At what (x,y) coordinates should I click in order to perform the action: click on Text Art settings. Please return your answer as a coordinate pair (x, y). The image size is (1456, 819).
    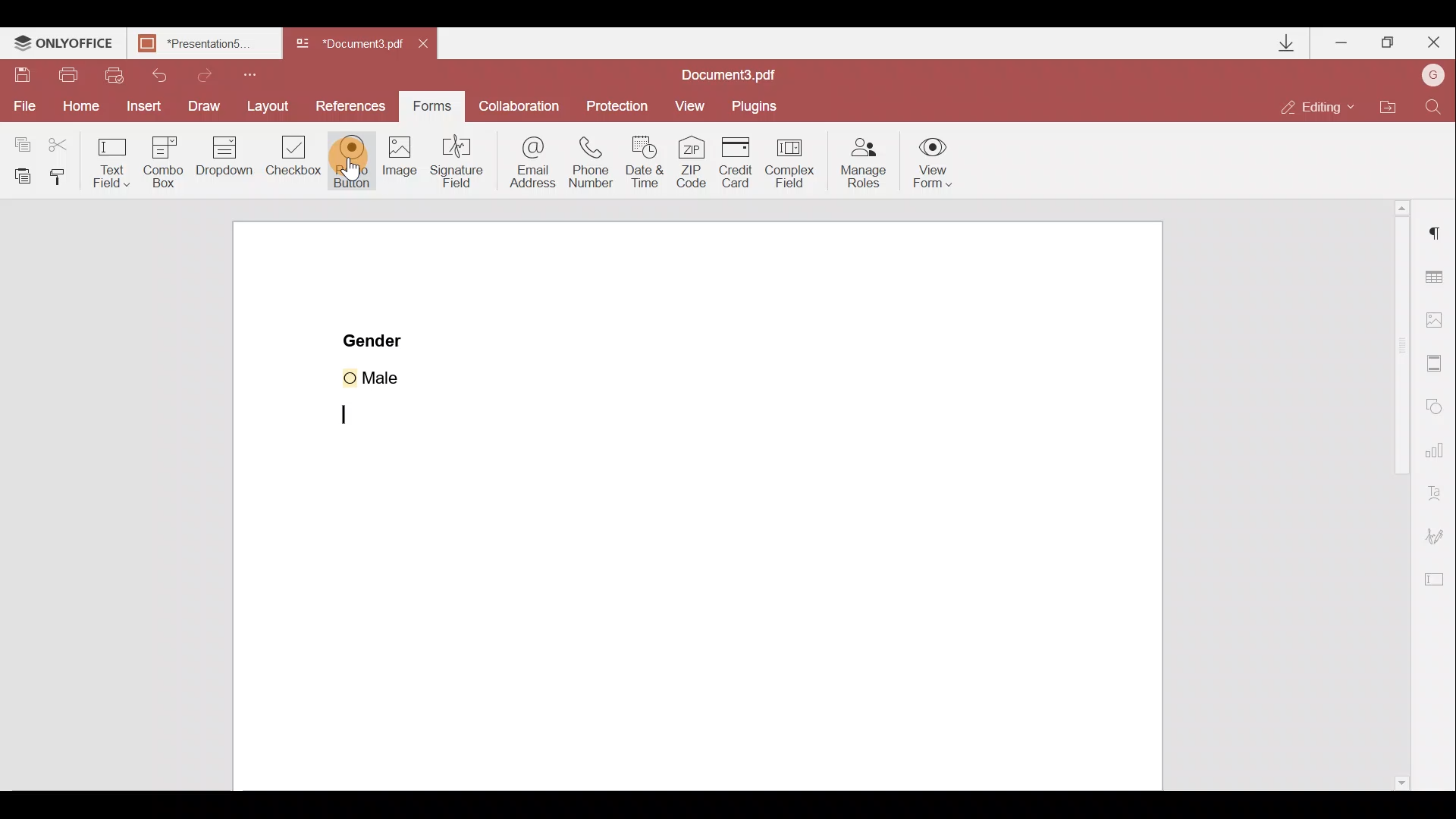
    Looking at the image, I should click on (1439, 495).